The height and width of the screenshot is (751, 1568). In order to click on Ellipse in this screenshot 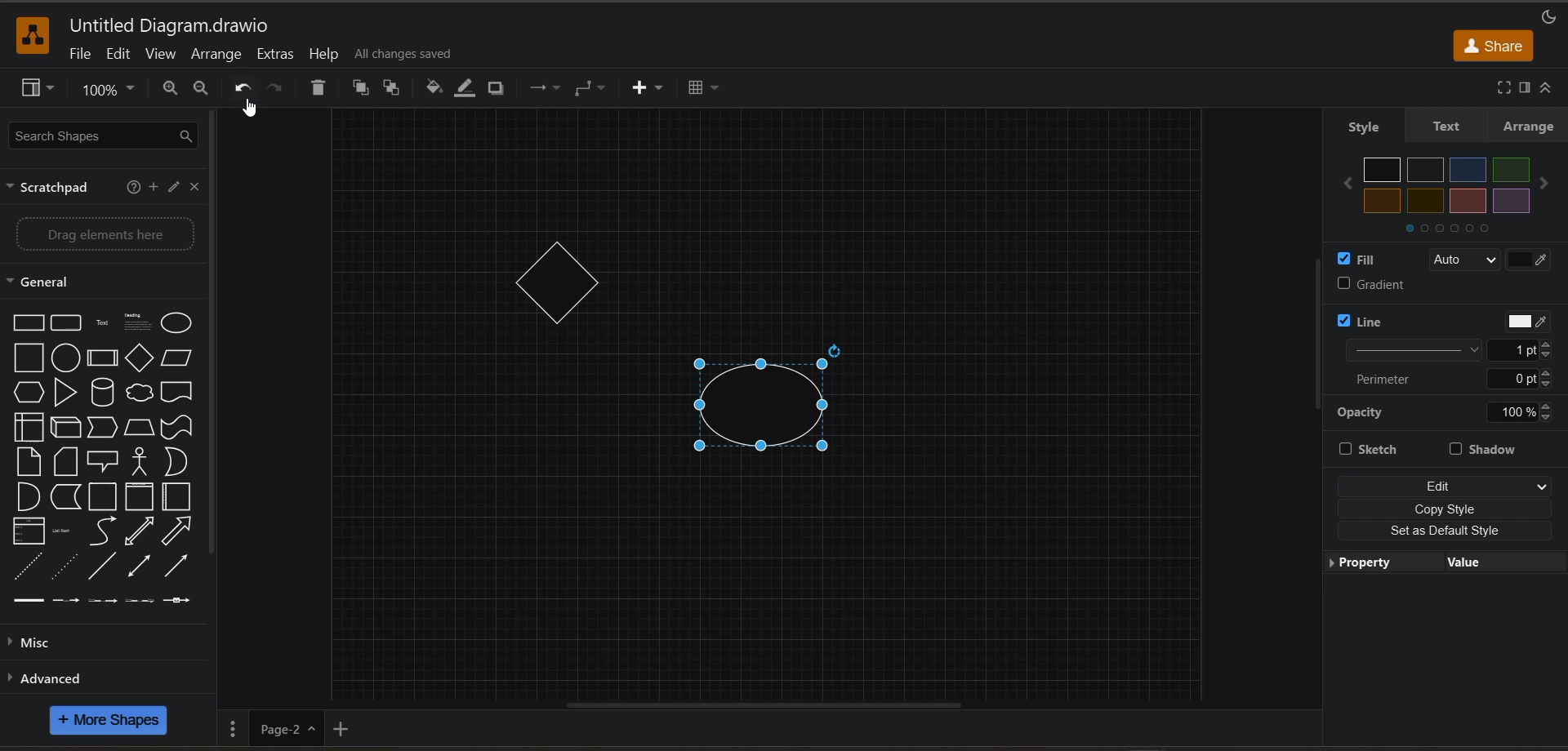, I will do `click(178, 323)`.